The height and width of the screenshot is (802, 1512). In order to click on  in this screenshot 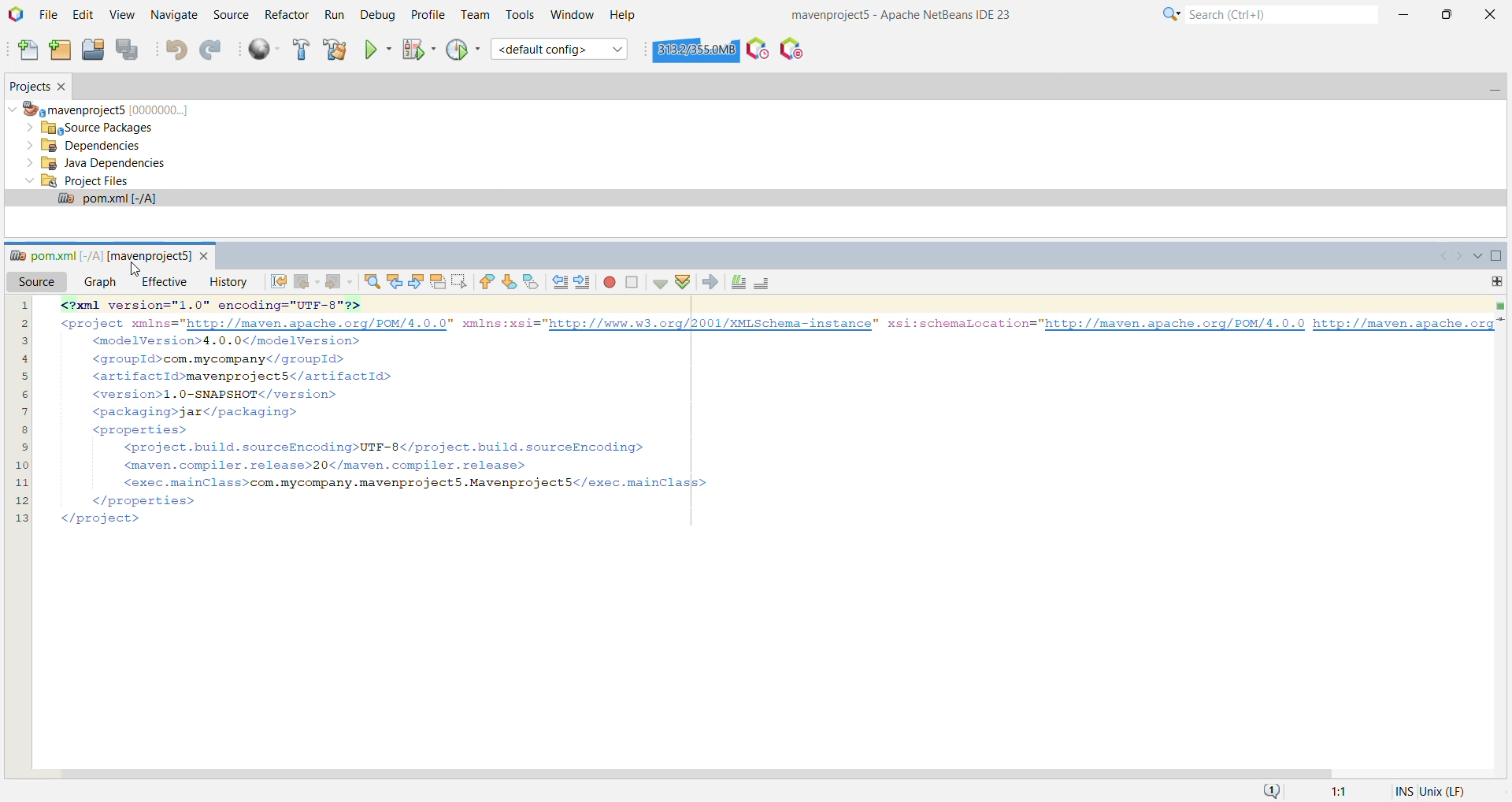, I will do `click(1343, 793)`.